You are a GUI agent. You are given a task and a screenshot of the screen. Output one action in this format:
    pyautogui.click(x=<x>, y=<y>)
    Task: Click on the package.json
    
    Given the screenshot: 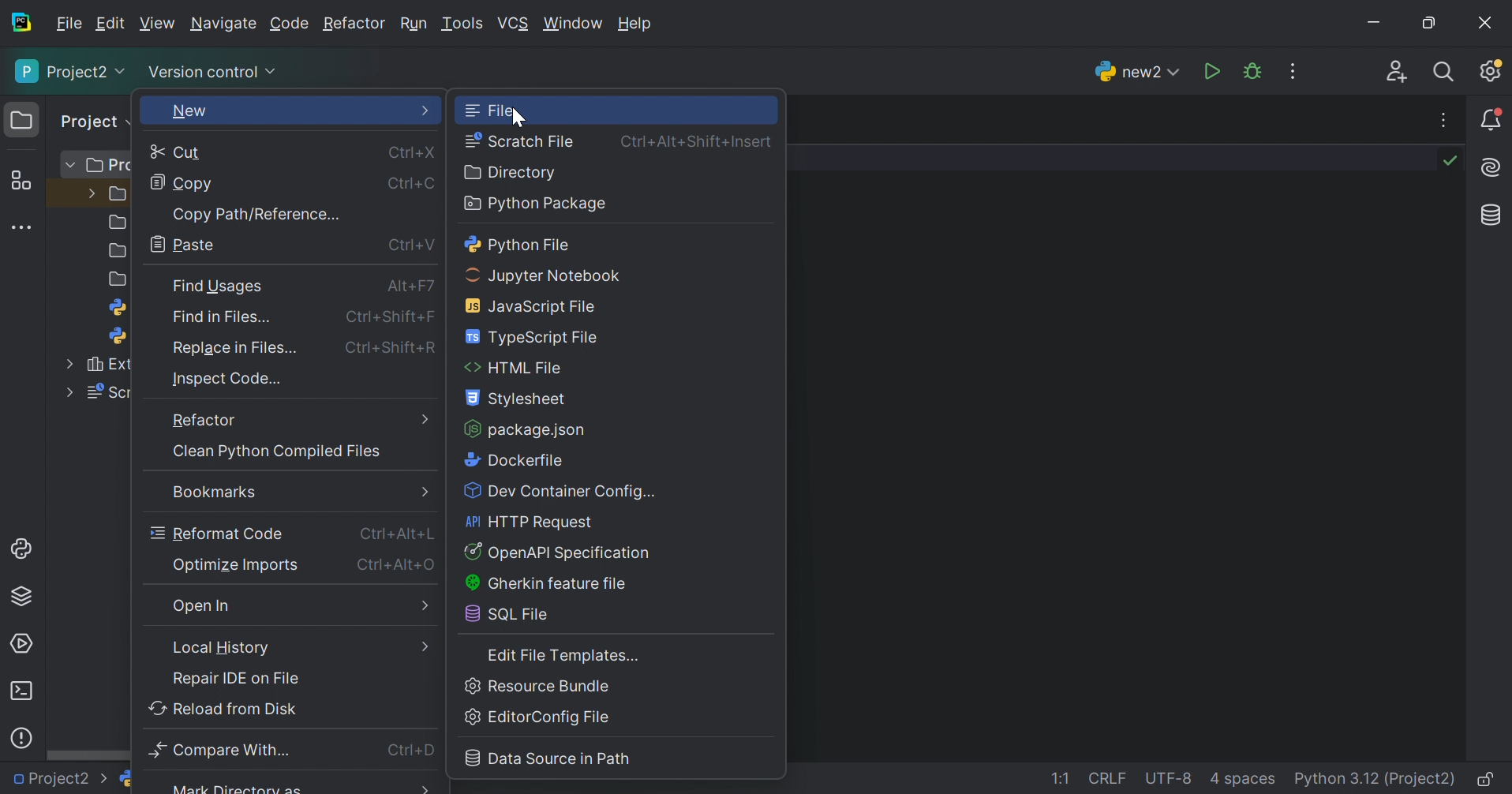 What is the action you would take?
    pyautogui.click(x=526, y=429)
    